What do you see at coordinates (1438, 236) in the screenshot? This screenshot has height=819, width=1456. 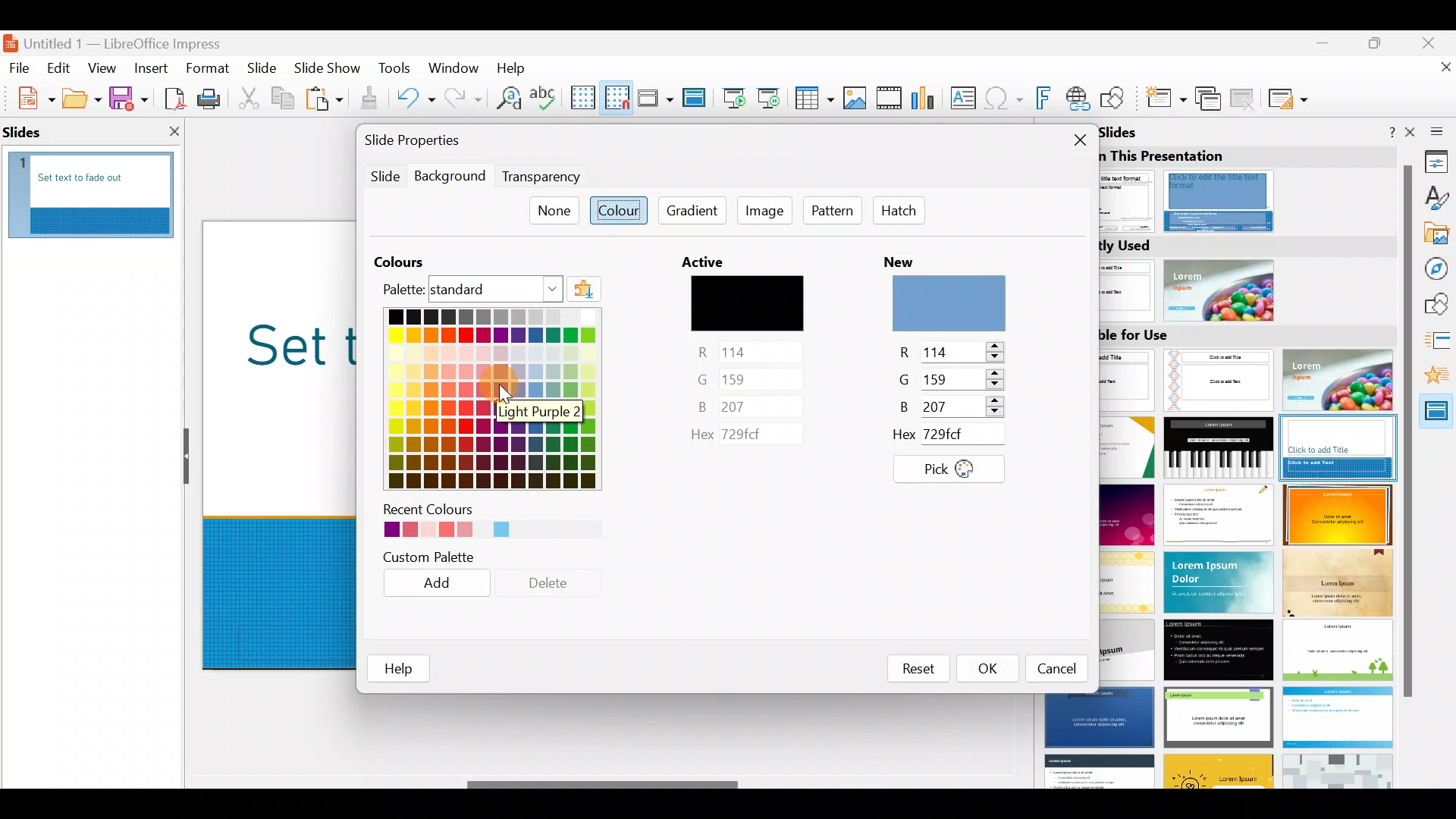 I see `Gallery` at bounding box center [1438, 236].